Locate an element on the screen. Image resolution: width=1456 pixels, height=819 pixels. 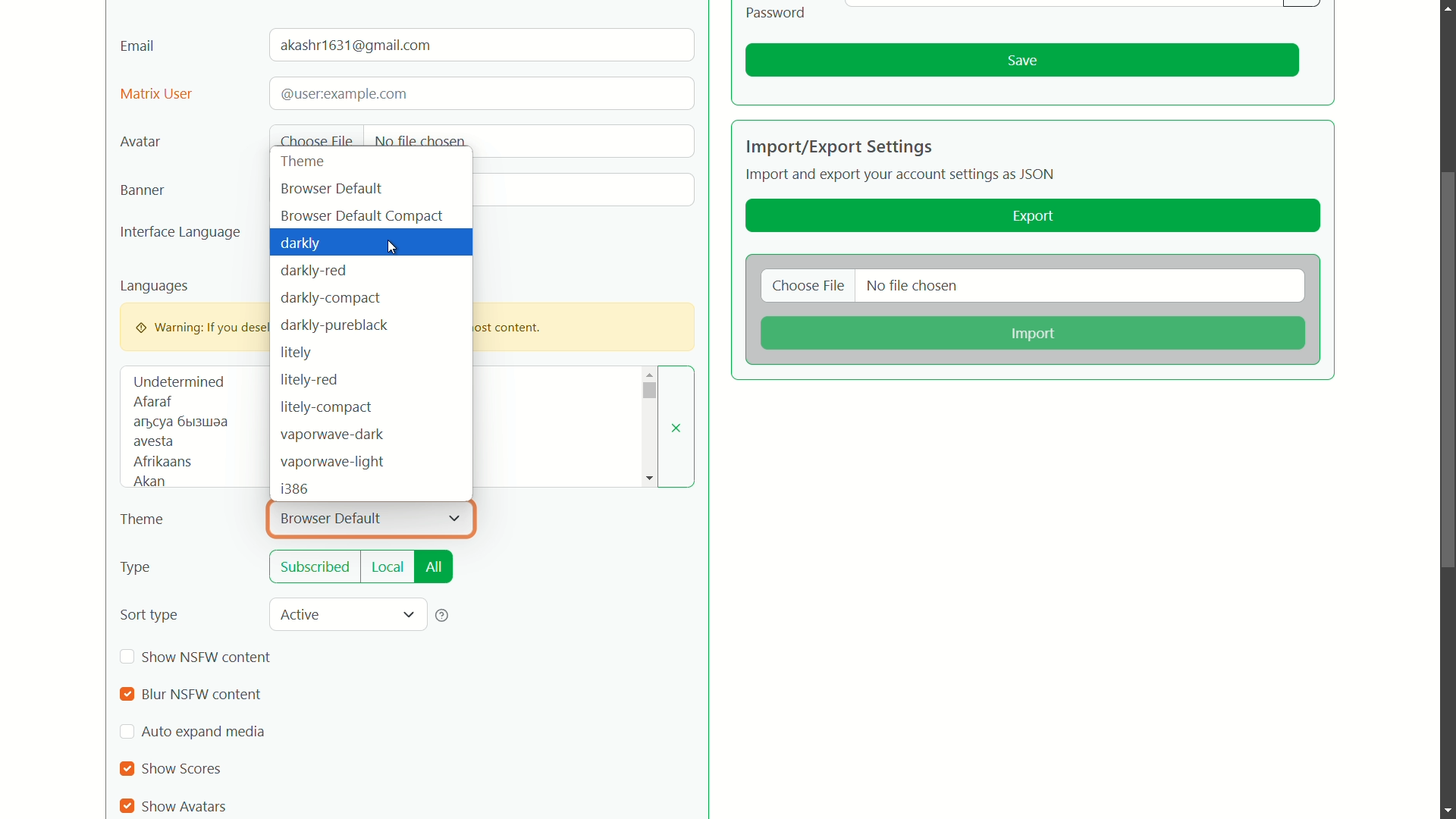
undetermined is located at coordinates (179, 381).